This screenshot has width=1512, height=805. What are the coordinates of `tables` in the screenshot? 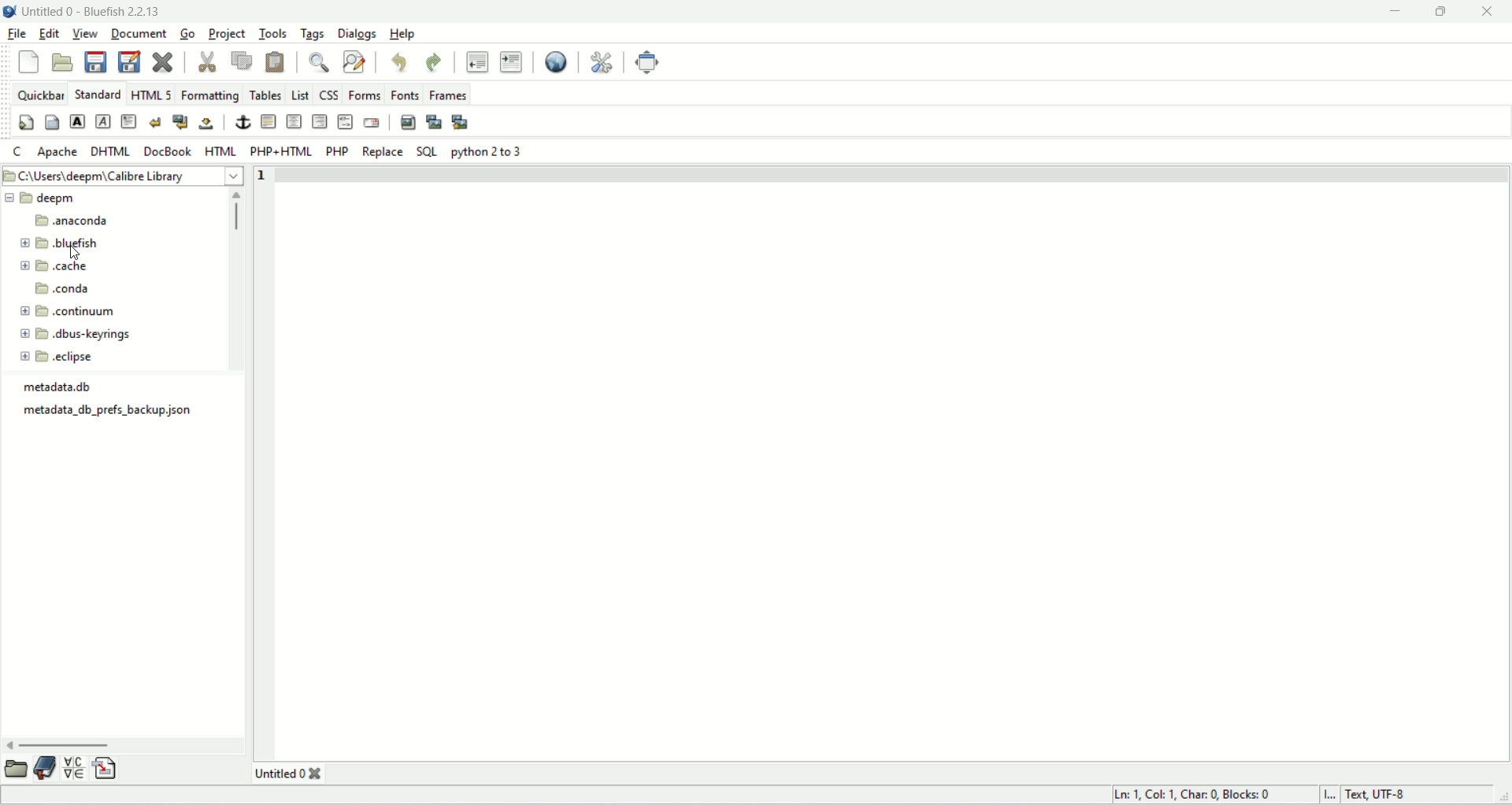 It's located at (265, 95).